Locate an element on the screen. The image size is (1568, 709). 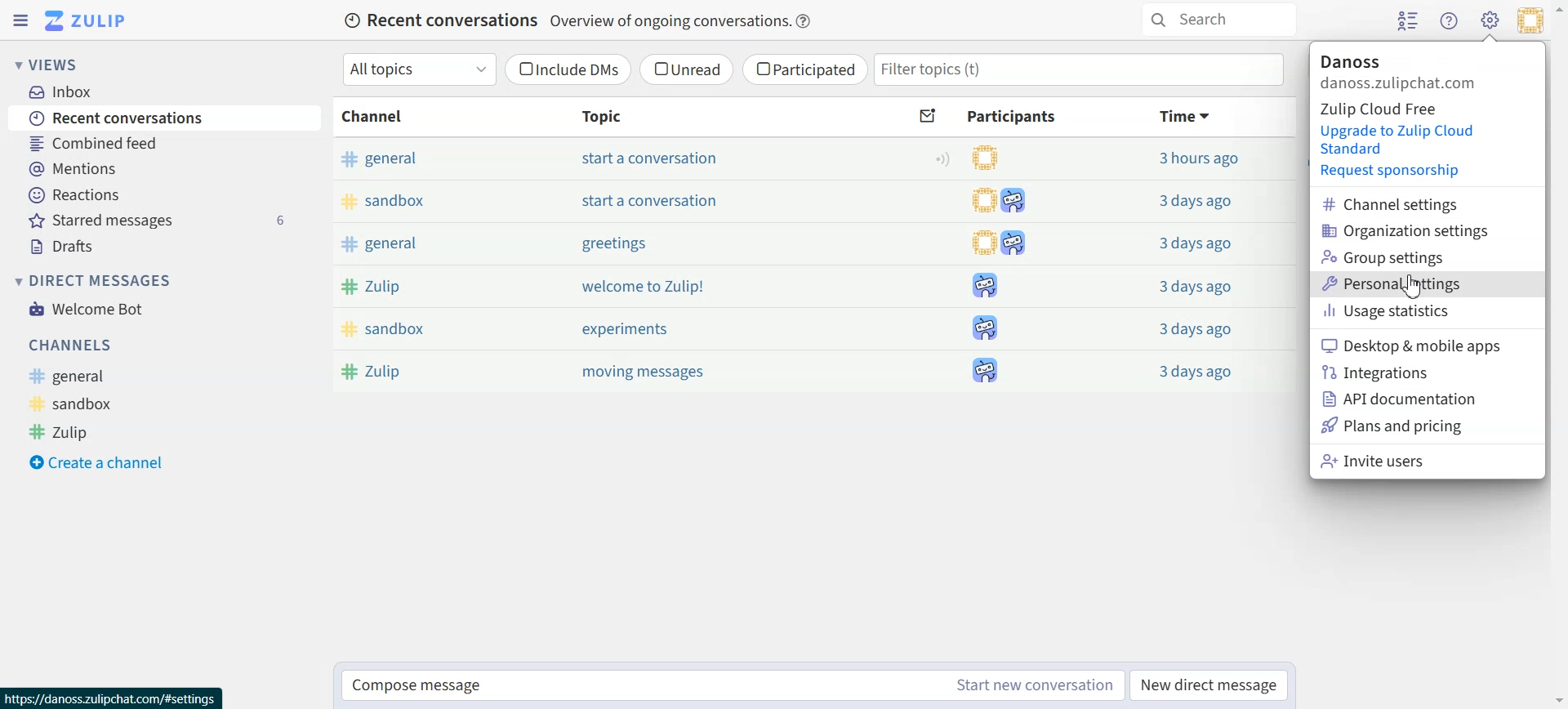
Recent conversations is located at coordinates (163, 118).